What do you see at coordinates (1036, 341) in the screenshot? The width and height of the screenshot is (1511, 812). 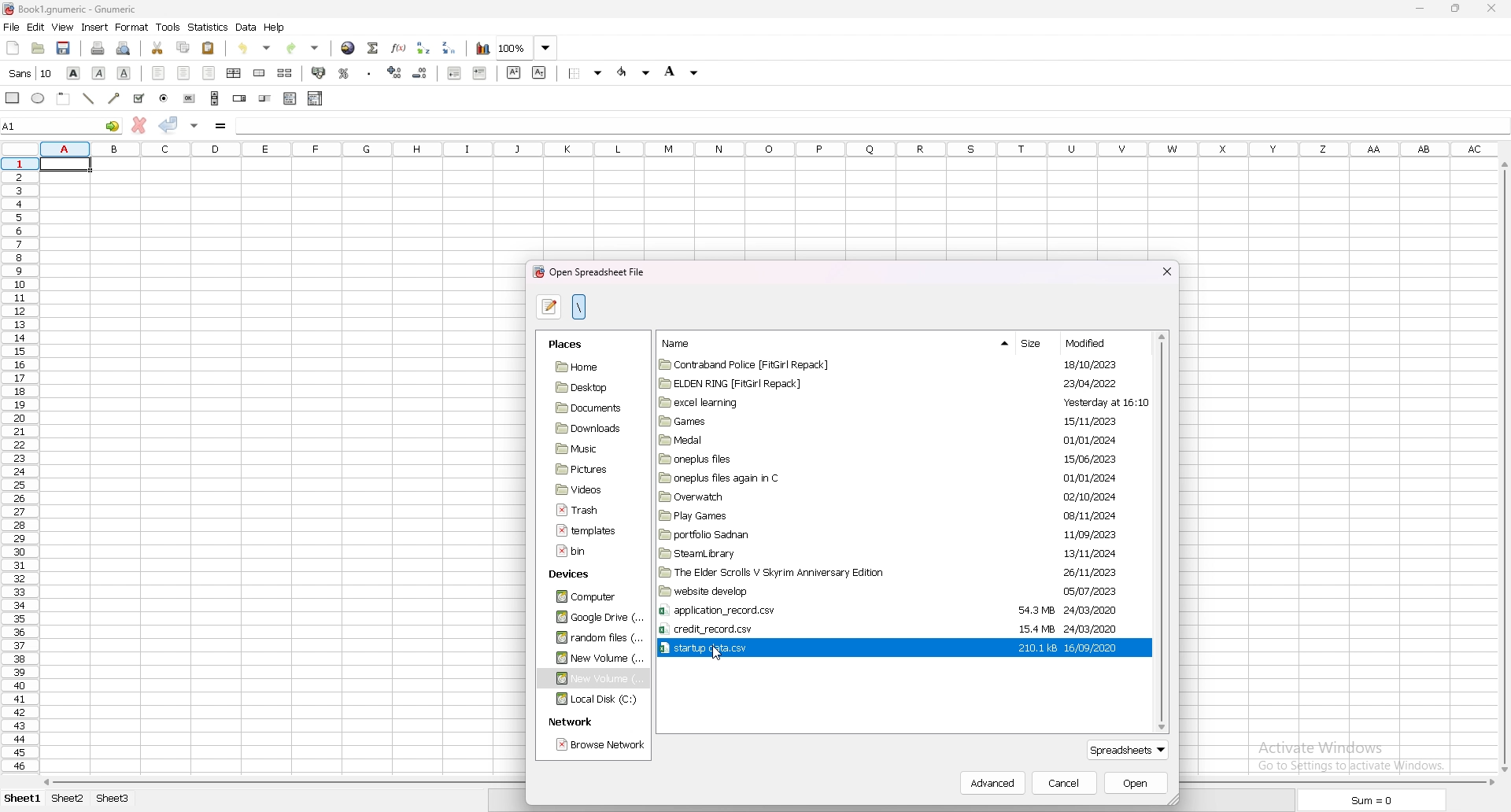 I see `size` at bounding box center [1036, 341].